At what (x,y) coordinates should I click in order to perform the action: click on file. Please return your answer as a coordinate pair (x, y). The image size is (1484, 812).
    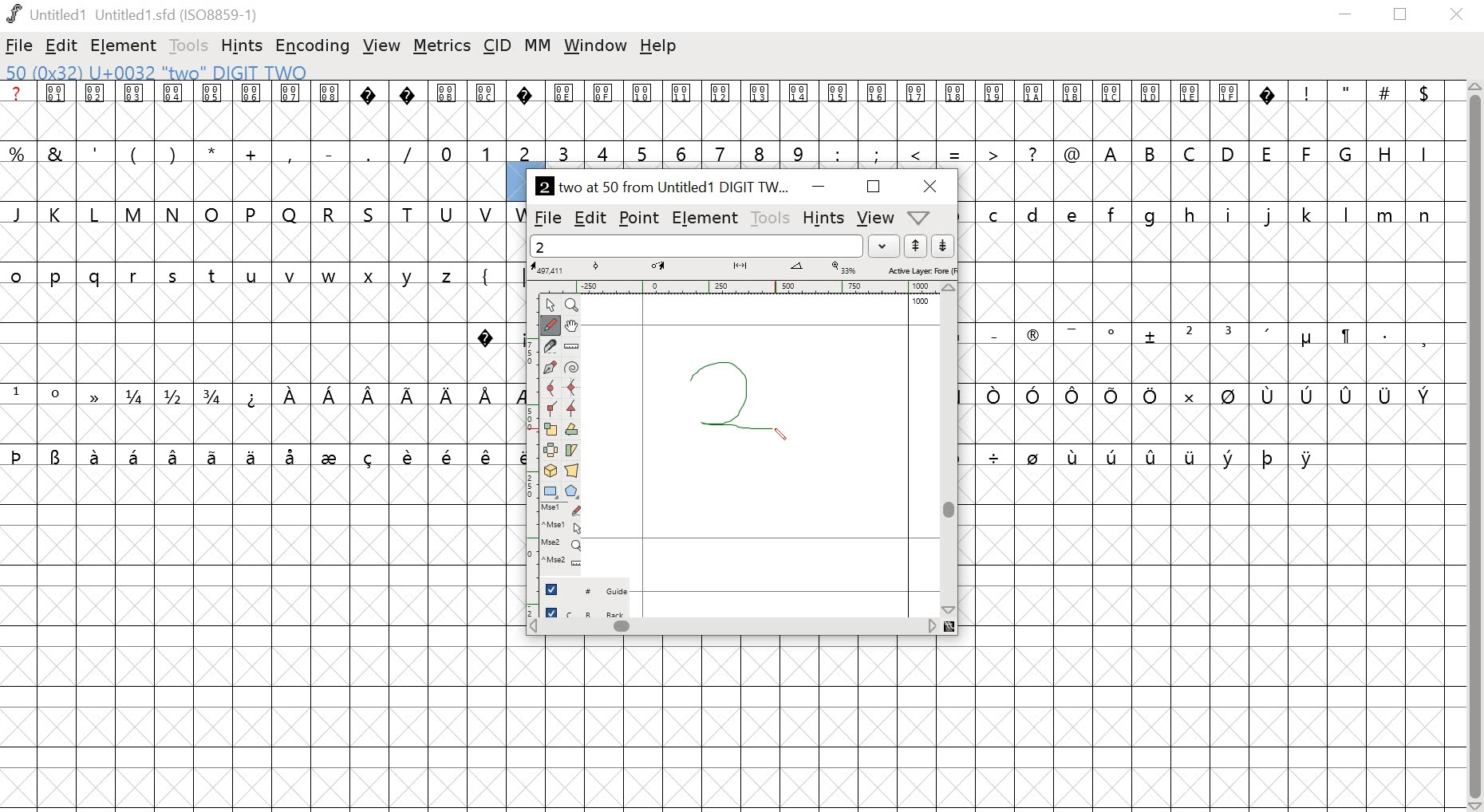
    Looking at the image, I should click on (21, 45).